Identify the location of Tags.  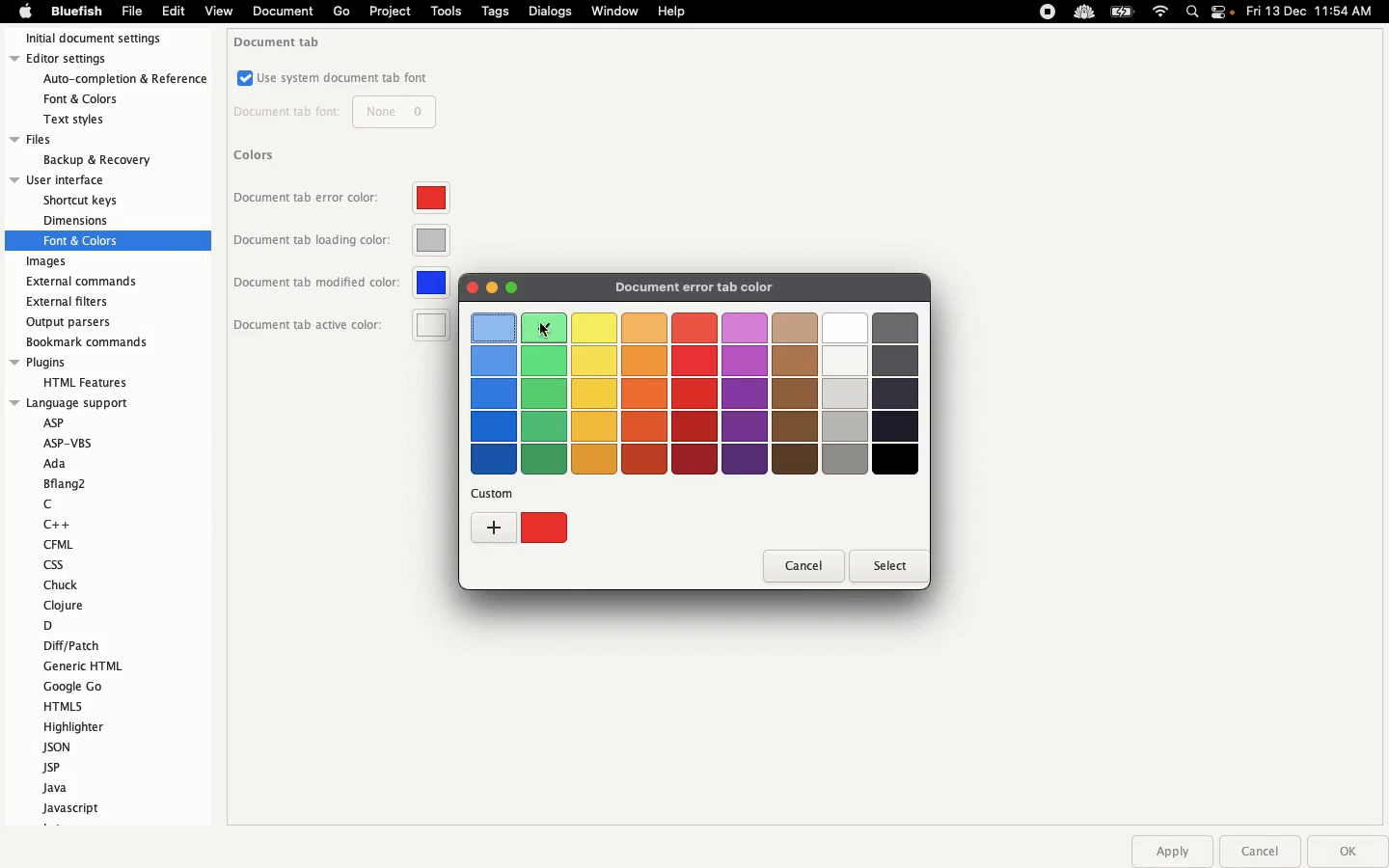
(497, 11).